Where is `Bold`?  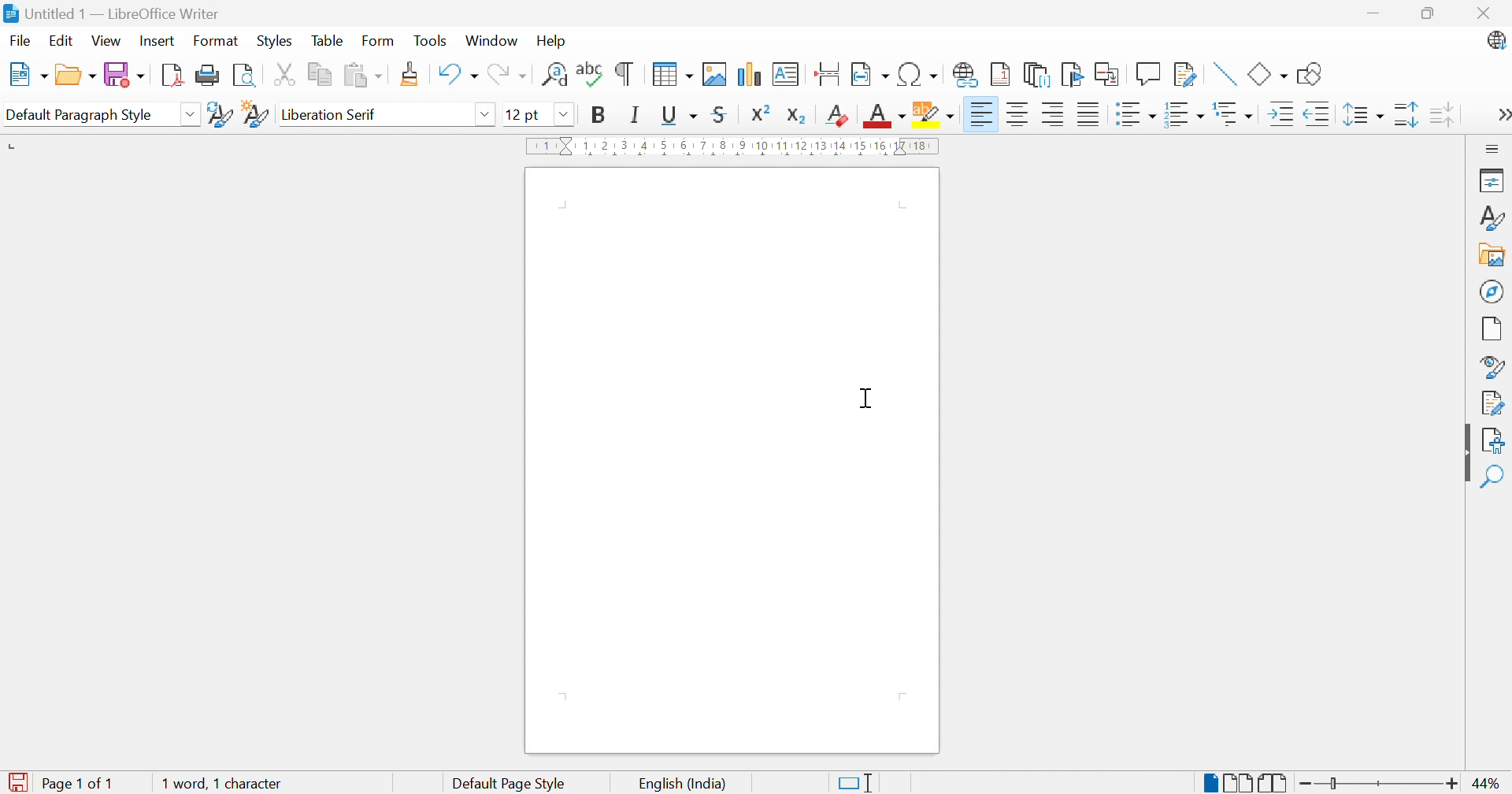 Bold is located at coordinates (602, 117).